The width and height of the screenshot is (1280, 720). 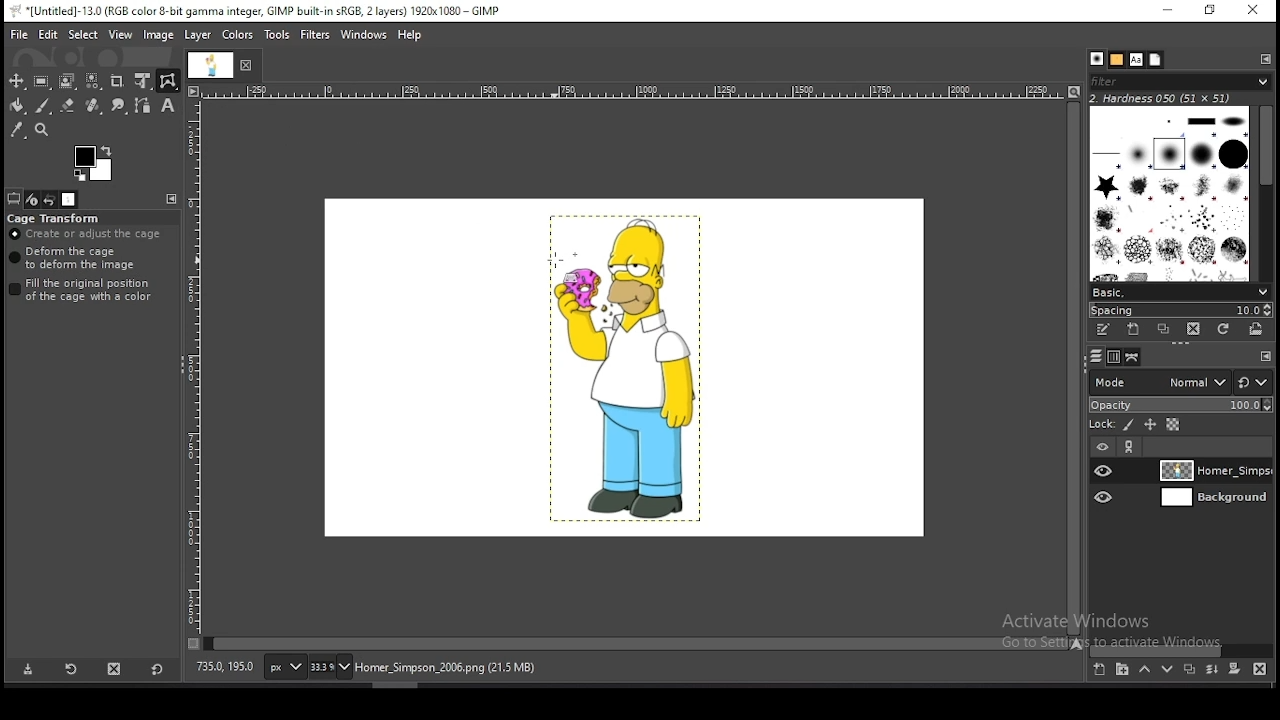 What do you see at coordinates (42, 81) in the screenshot?
I see `rectangle select tool` at bounding box center [42, 81].